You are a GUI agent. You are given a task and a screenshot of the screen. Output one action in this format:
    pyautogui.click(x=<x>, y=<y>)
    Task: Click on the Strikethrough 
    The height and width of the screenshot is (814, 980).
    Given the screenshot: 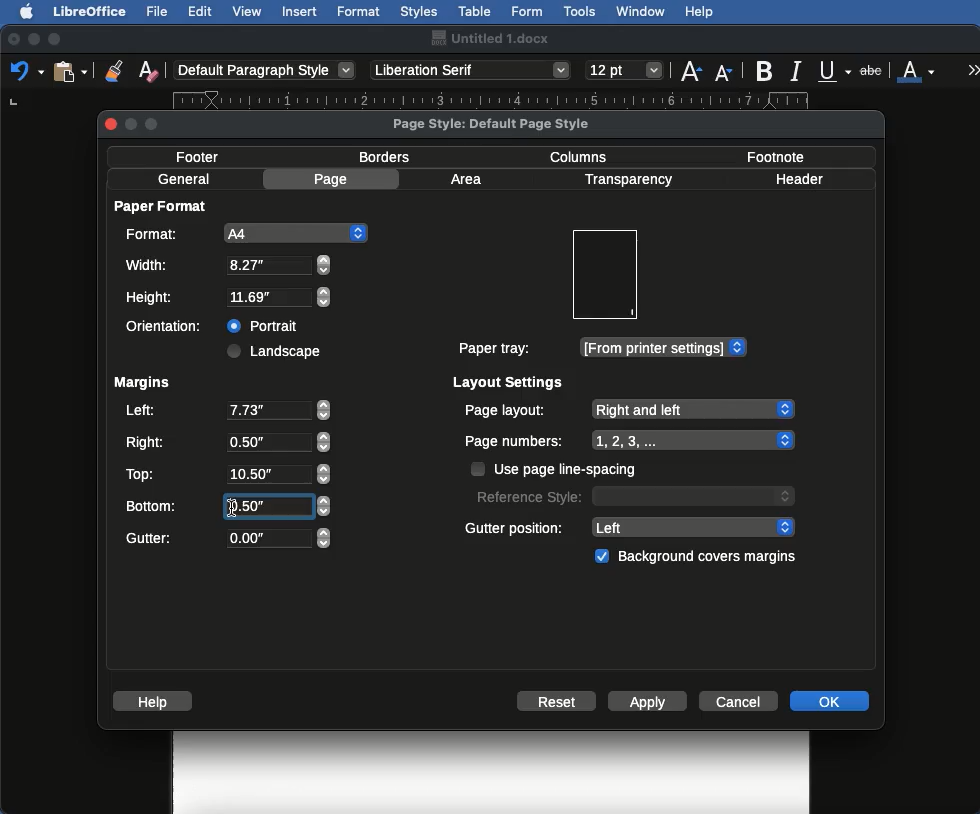 What is the action you would take?
    pyautogui.click(x=873, y=69)
    